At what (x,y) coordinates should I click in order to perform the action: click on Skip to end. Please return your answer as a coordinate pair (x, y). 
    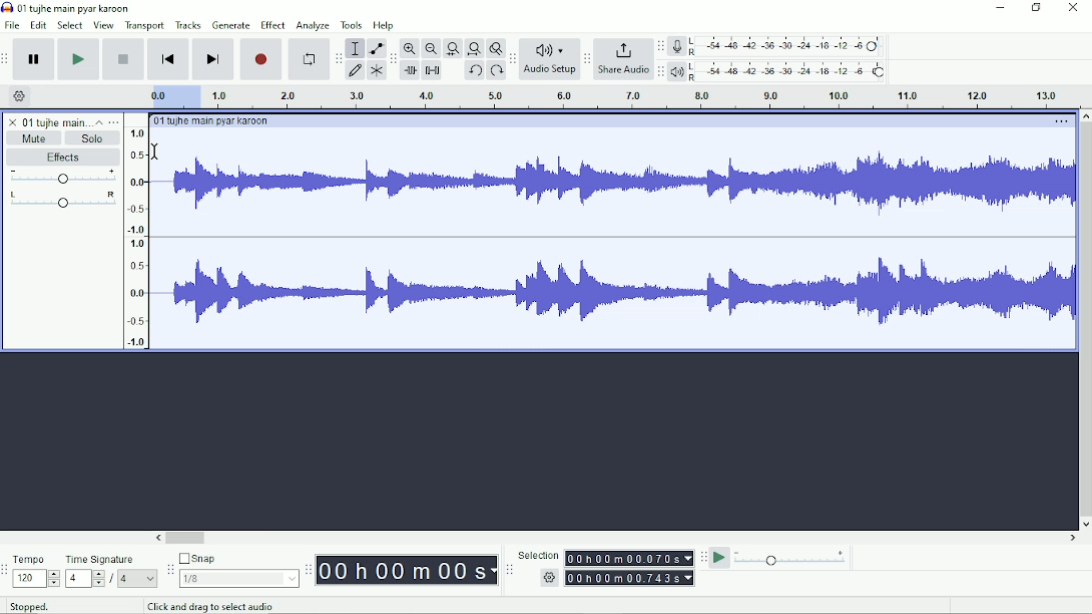
    Looking at the image, I should click on (213, 60).